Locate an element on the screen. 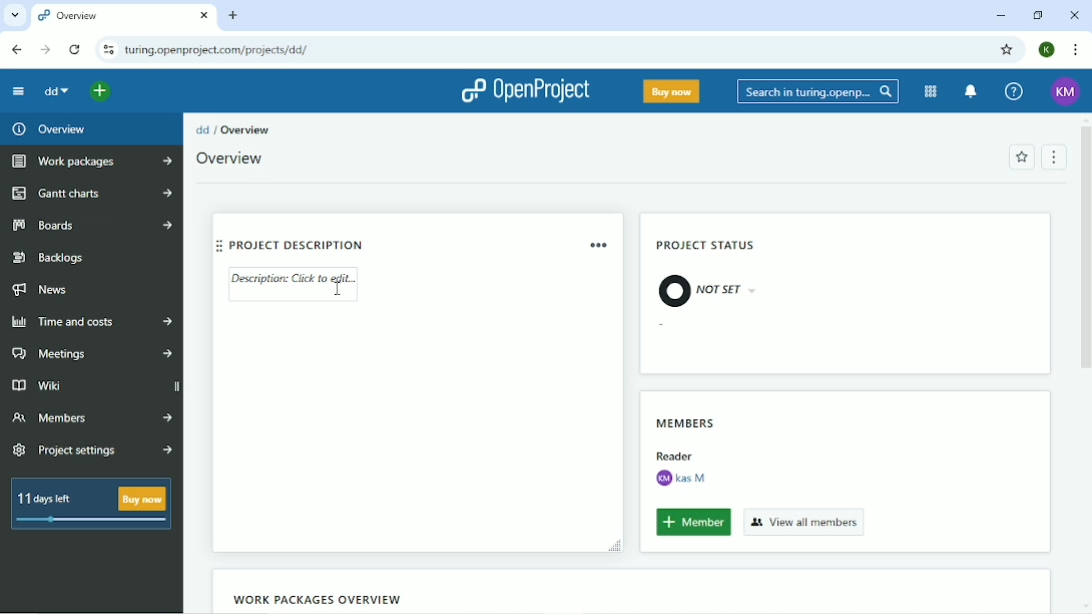 This screenshot has height=614, width=1092. Reload this page is located at coordinates (76, 49).